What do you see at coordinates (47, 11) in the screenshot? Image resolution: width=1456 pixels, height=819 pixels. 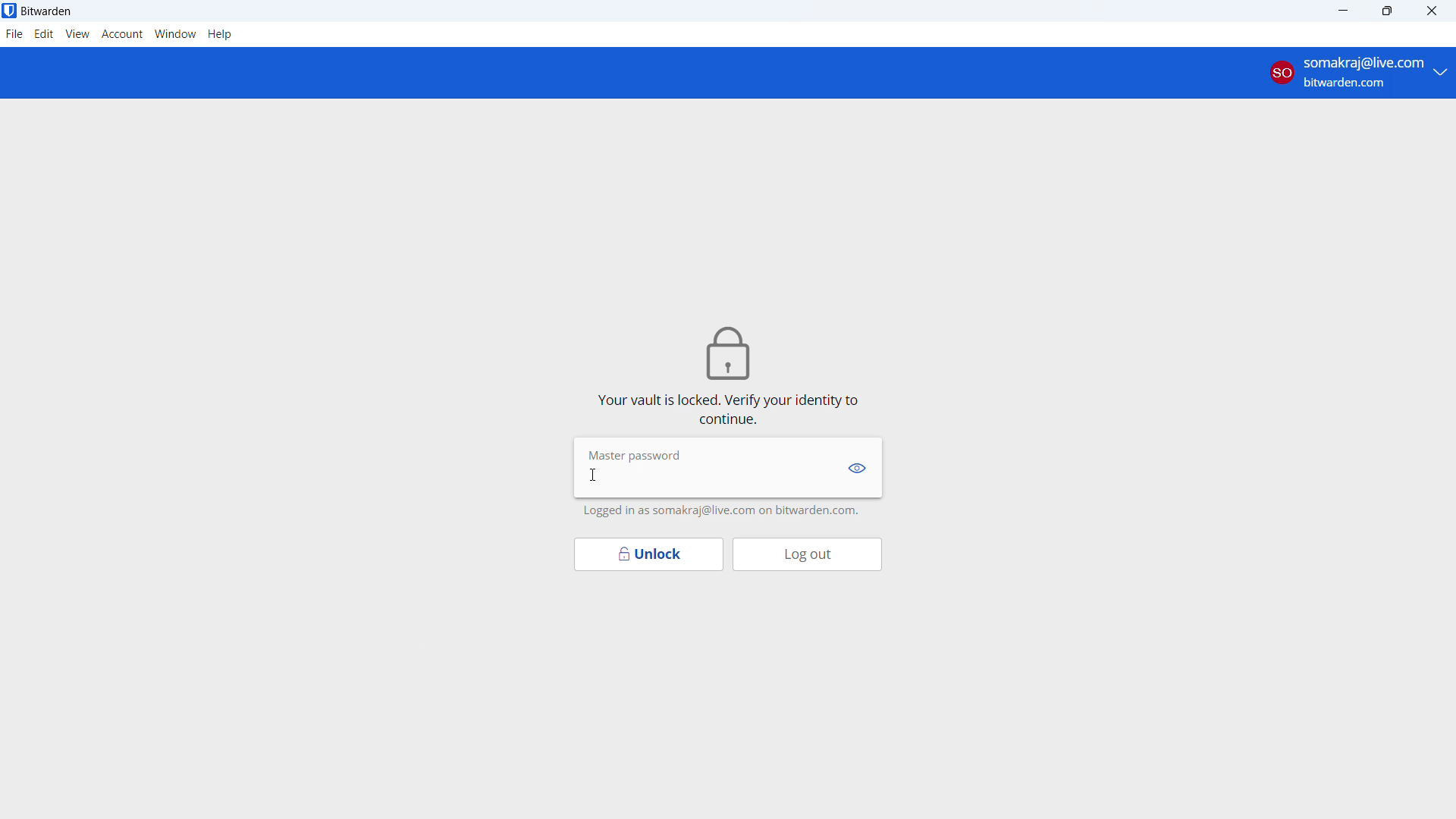 I see `title` at bounding box center [47, 11].